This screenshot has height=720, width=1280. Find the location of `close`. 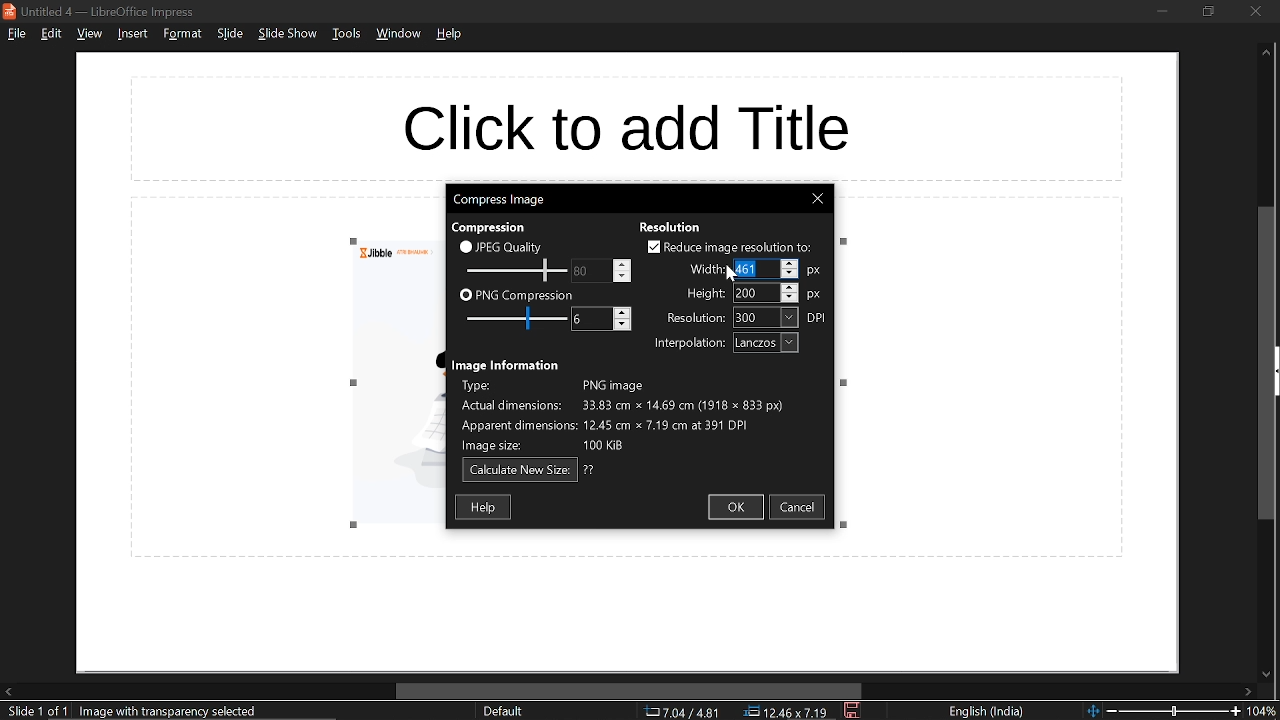

close is located at coordinates (819, 199).